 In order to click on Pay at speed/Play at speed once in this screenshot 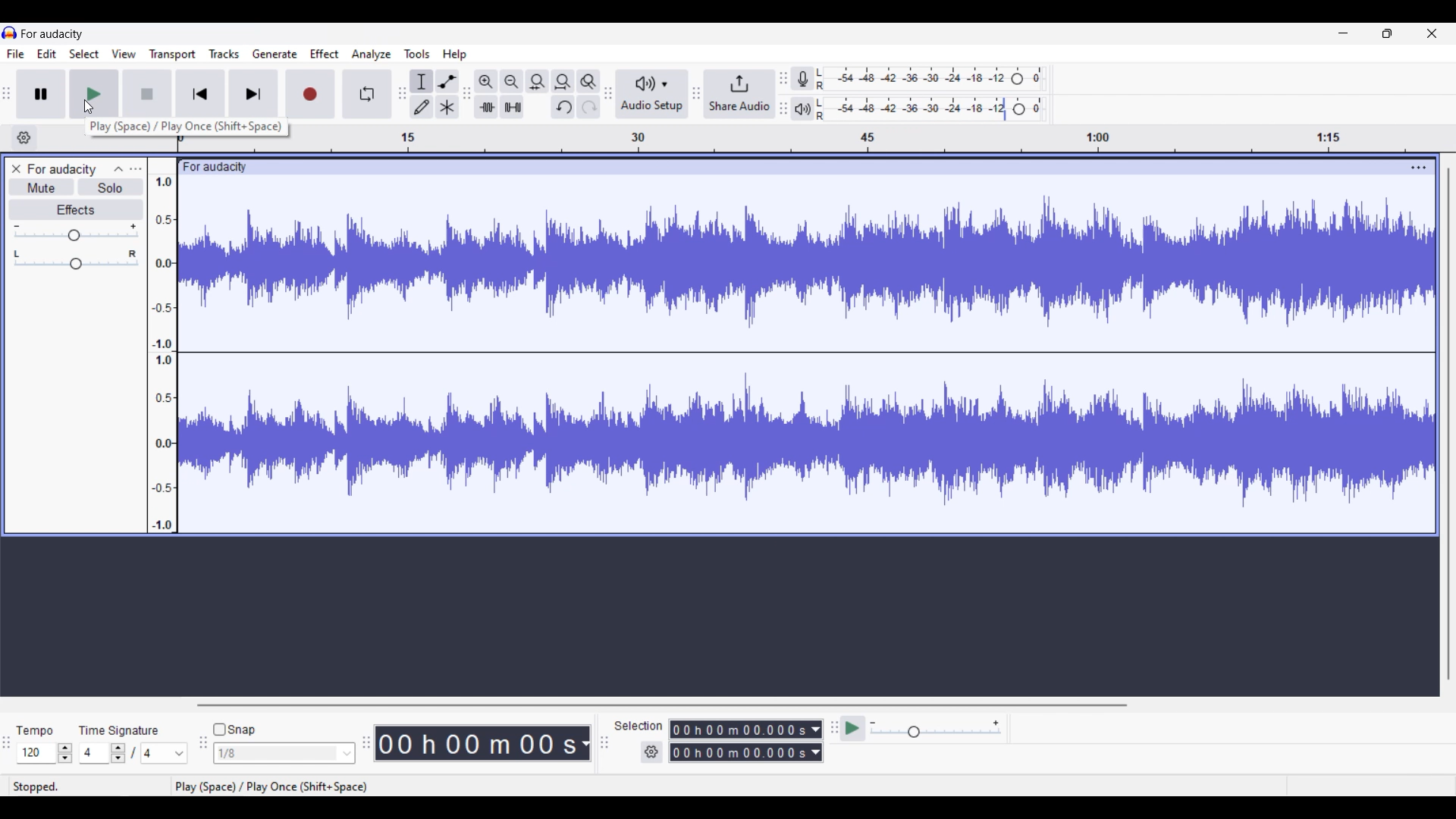, I will do `click(852, 729)`.